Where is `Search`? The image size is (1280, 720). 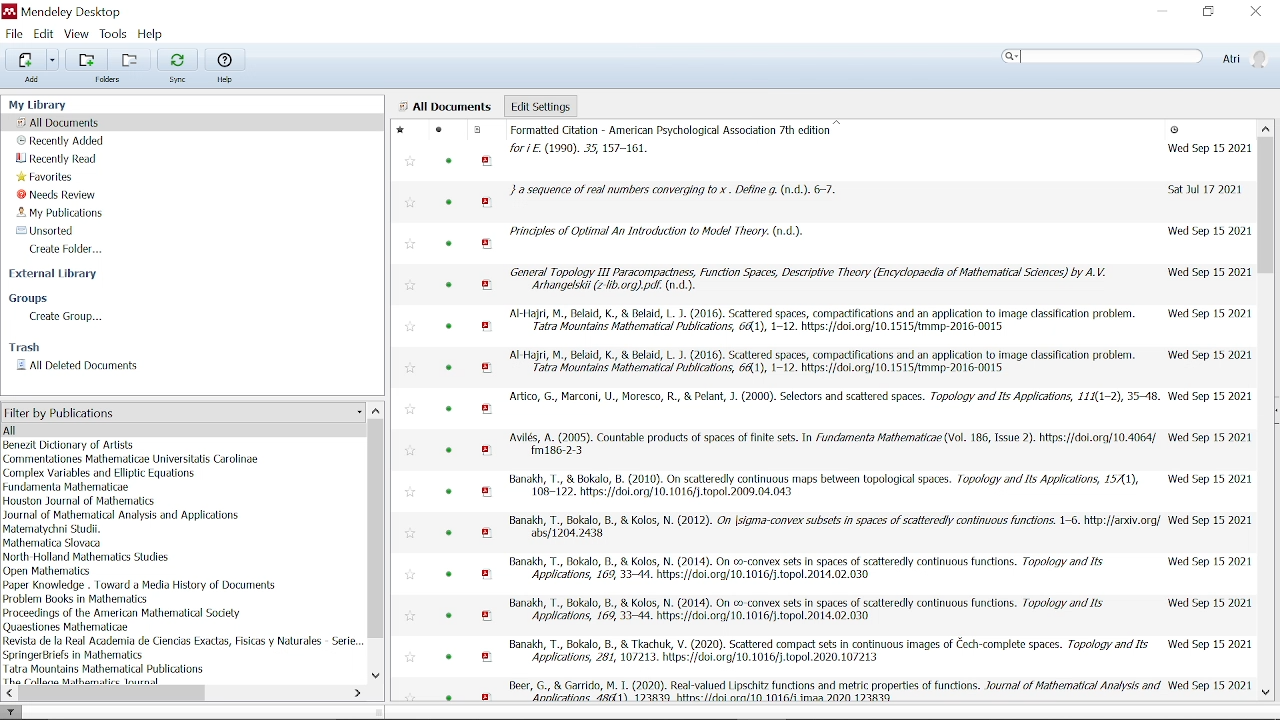
Search is located at coordinates (1102, 55).